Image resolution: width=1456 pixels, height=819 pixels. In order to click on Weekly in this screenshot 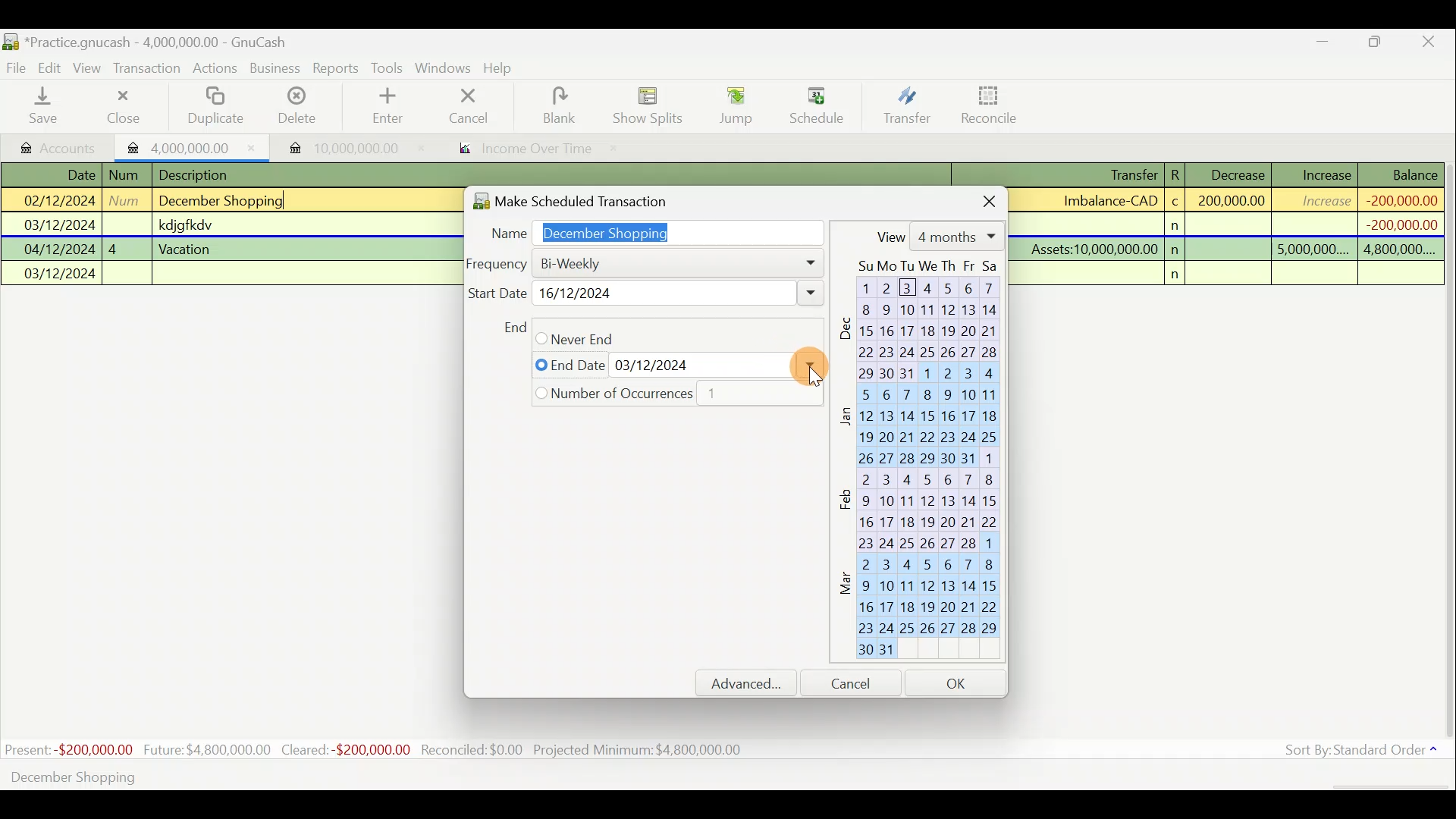, I will do `click(583, 293)`.